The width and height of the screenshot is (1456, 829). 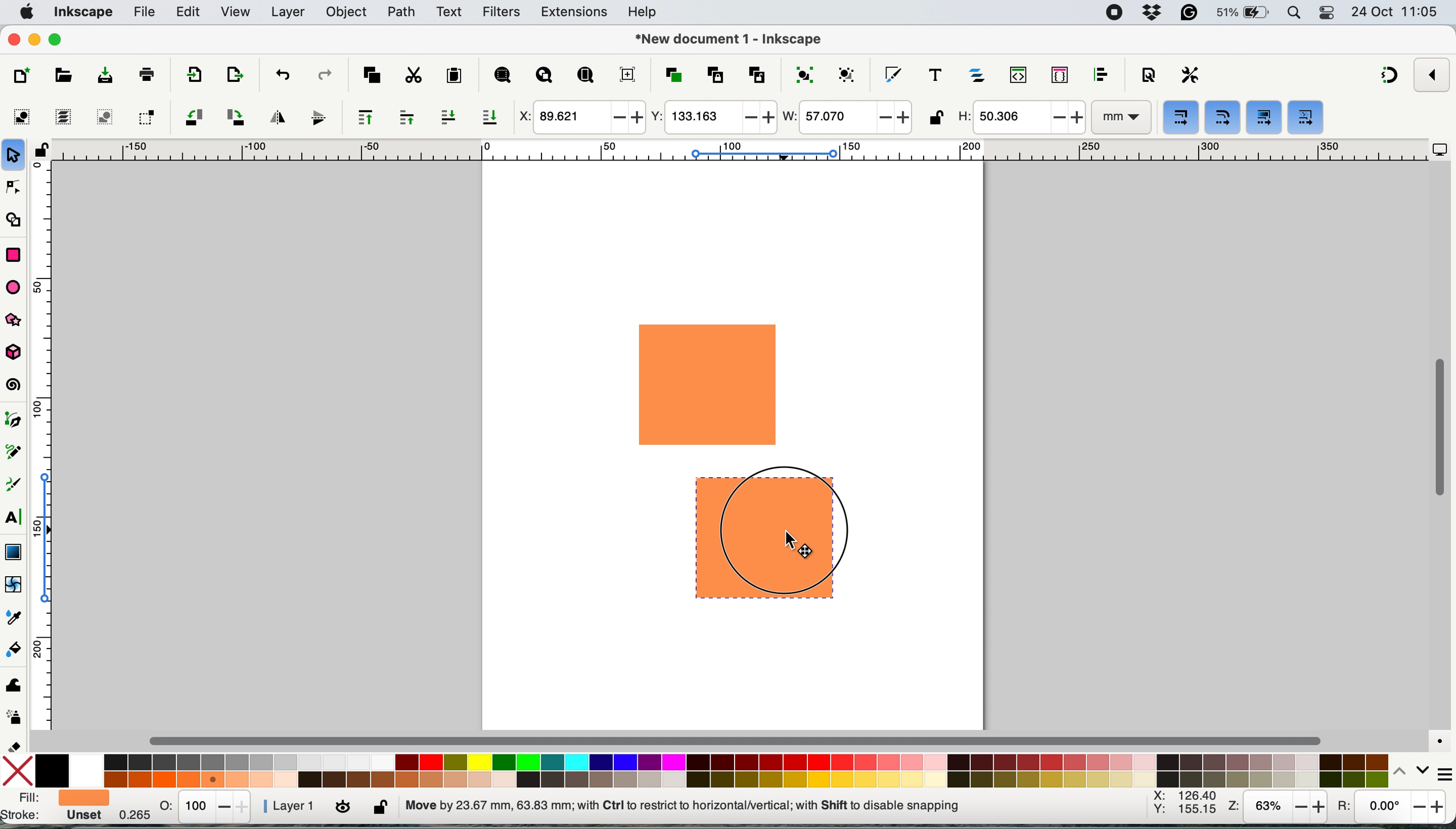 I want to click on zoom drawing, so click(x=544, y=77).